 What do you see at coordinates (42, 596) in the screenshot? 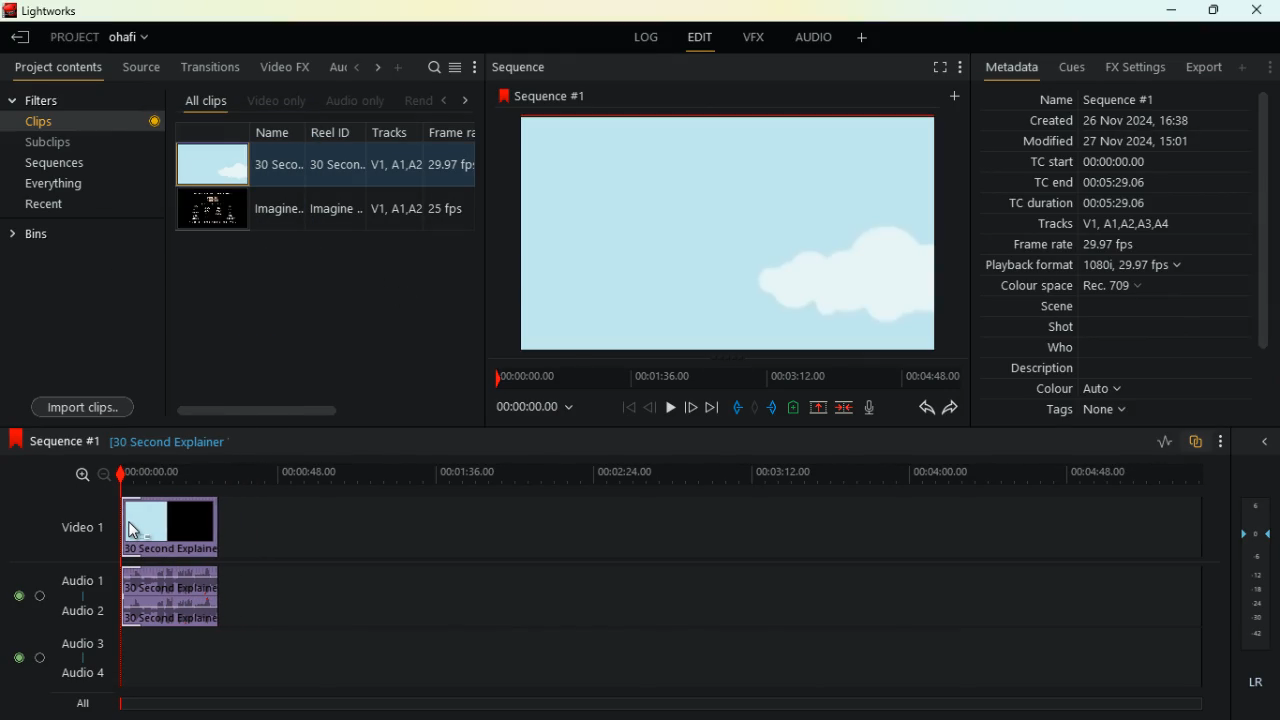
I see `toggle` at bounding box center [42, 596].